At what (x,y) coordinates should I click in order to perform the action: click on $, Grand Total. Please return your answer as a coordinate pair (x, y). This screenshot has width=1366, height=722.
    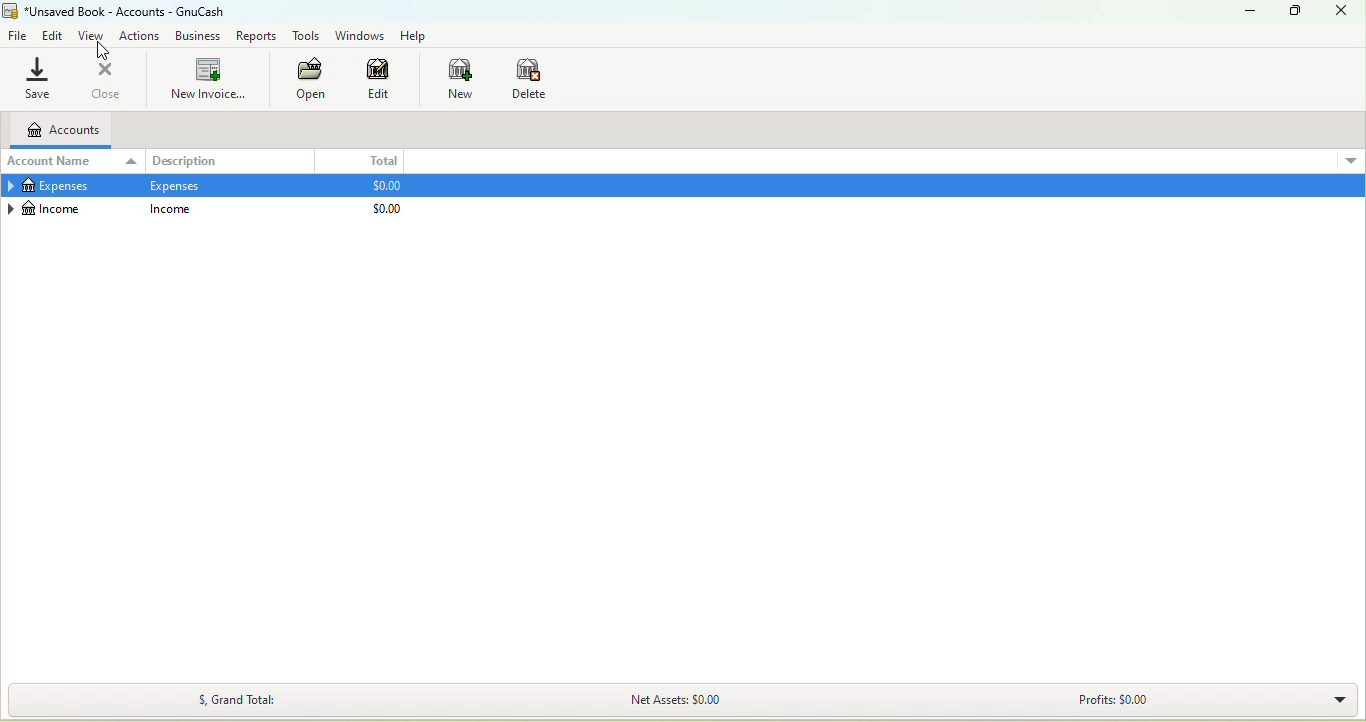
    Looking at the image, I should click on (244, 699).